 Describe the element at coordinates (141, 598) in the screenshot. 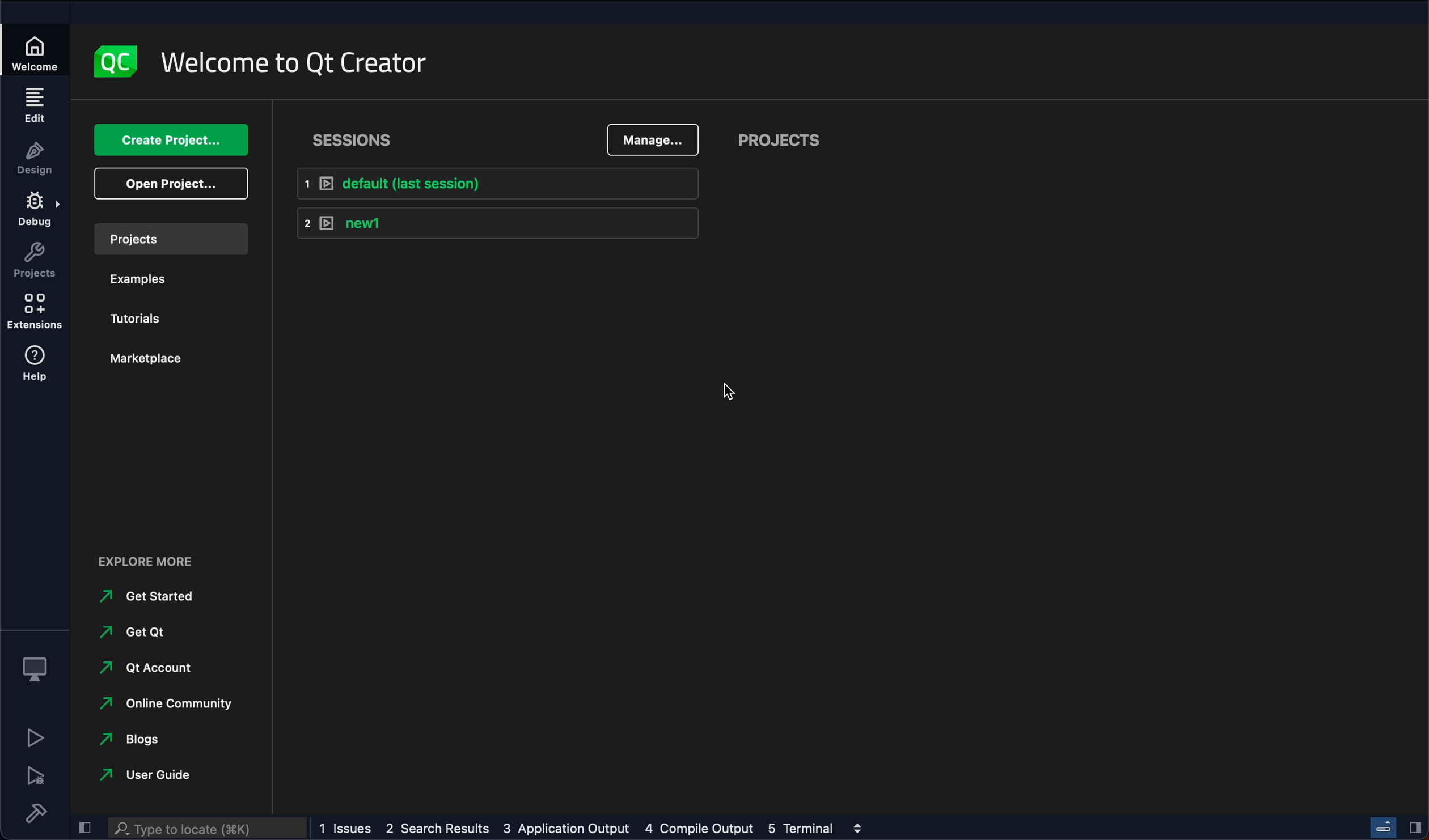

I see `started` at that location.